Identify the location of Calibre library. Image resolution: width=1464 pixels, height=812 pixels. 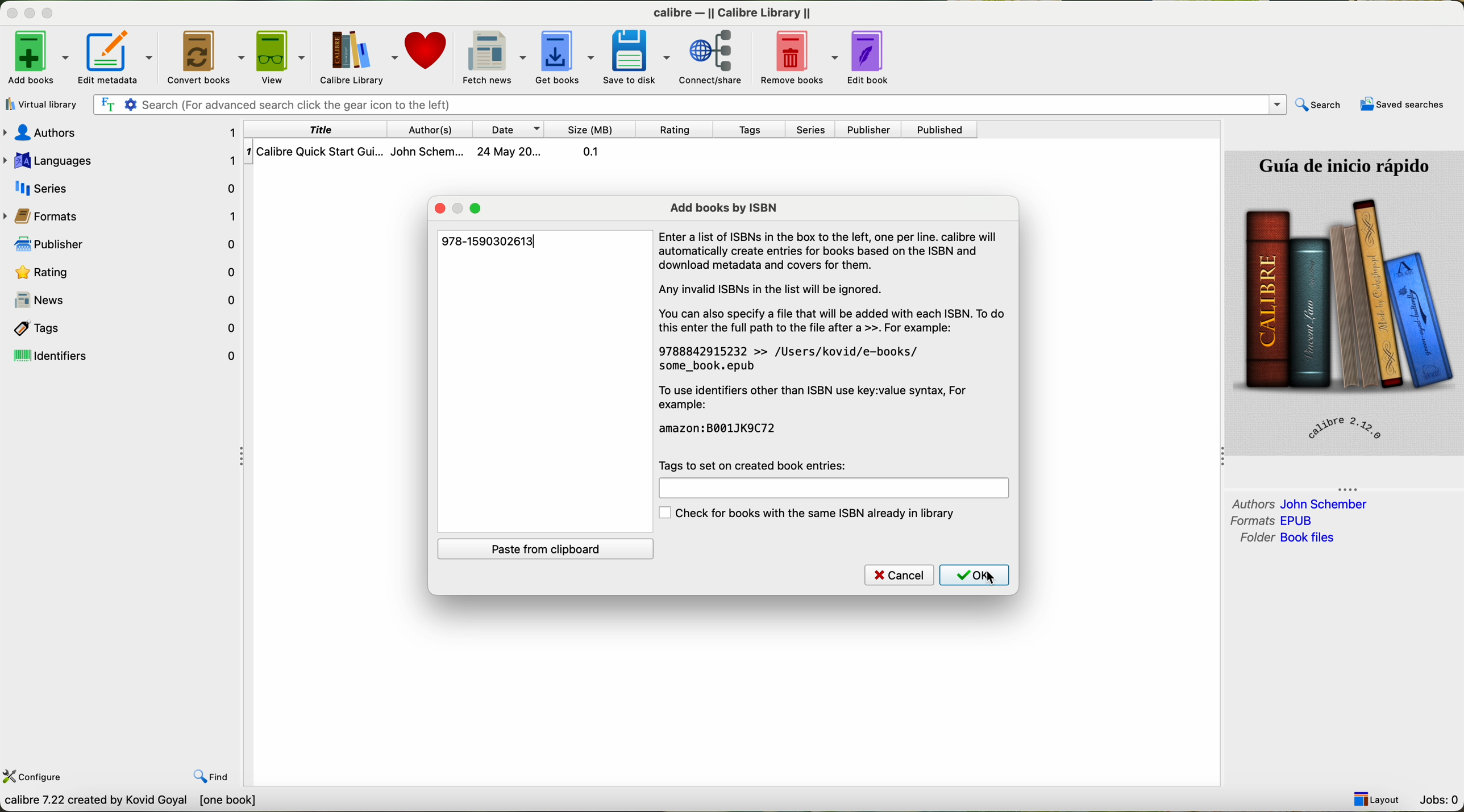
(360, 55).